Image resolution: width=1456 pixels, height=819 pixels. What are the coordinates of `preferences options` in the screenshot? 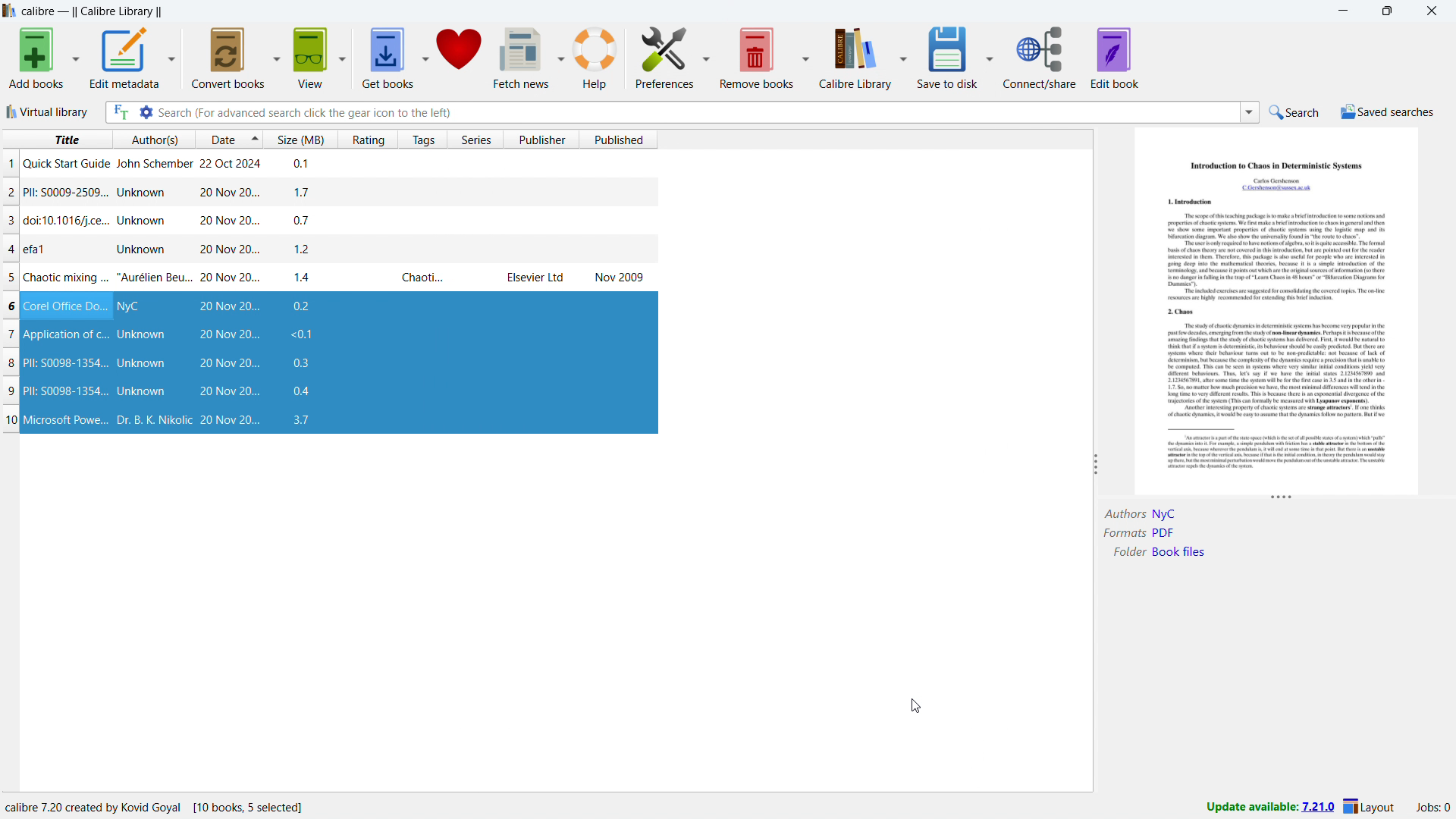 It's located at (706, 58).